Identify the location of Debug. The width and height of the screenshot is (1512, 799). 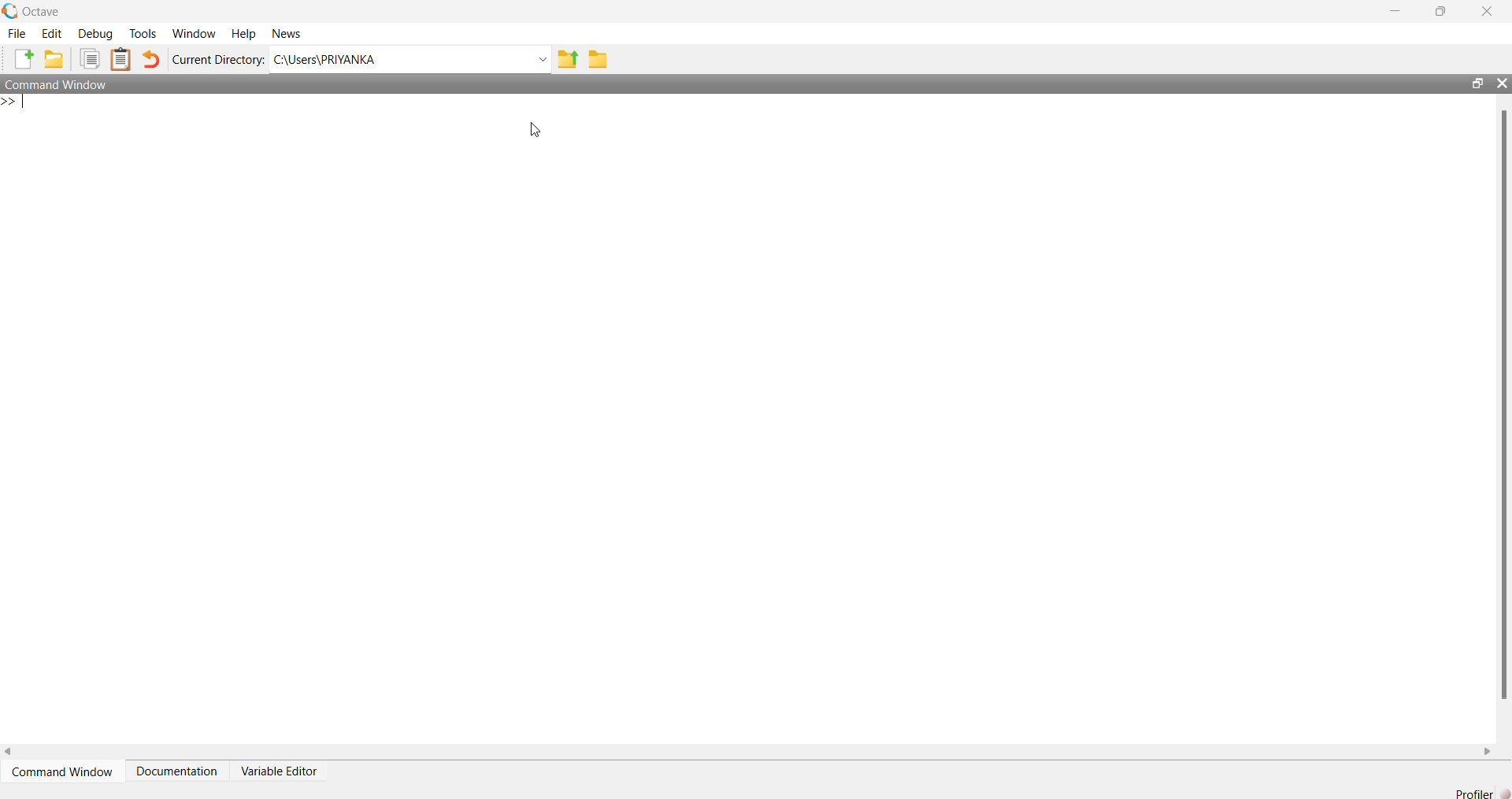
(96, 32).